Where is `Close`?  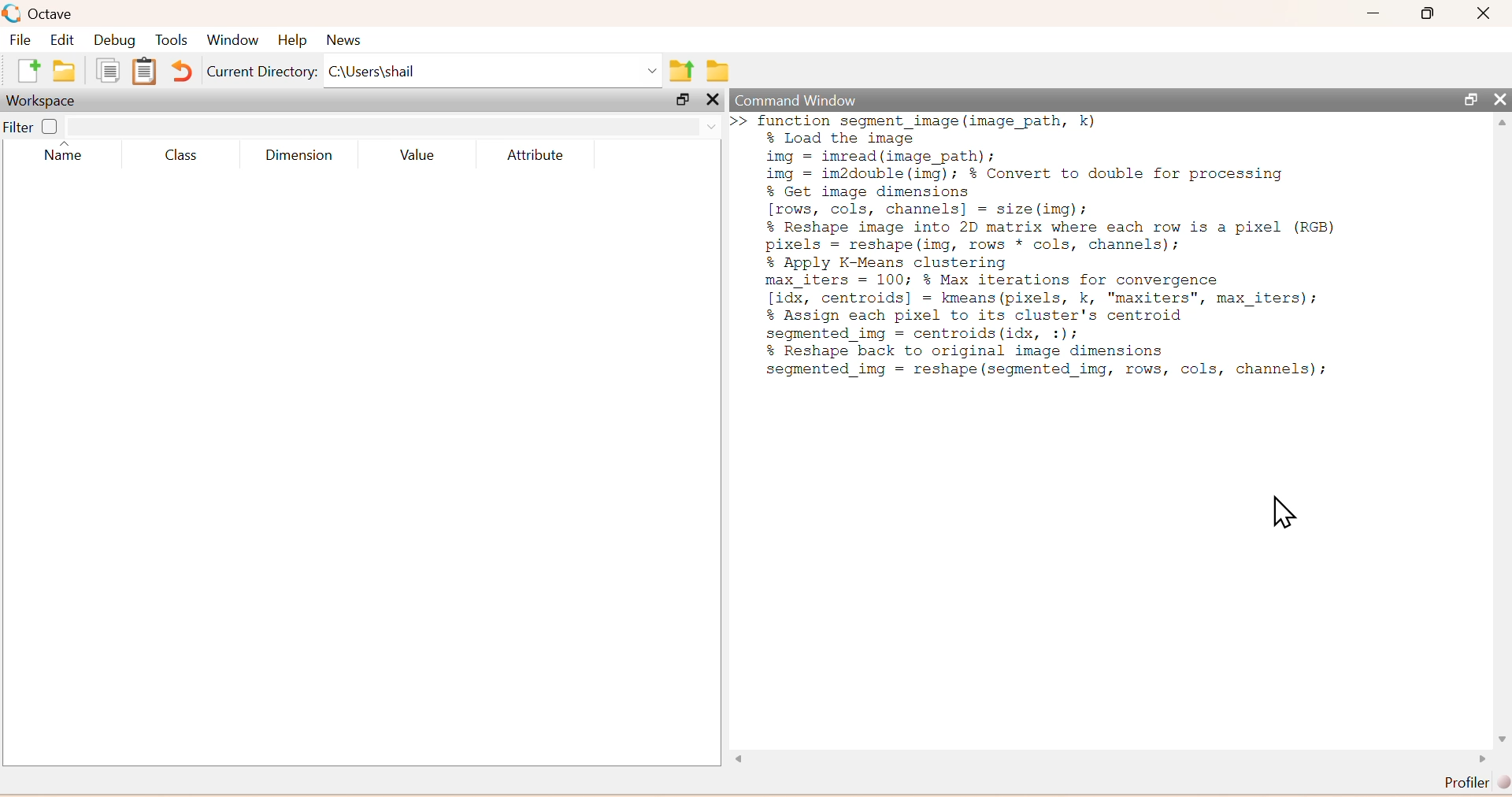
Close is located at coordinates (1483, 13).